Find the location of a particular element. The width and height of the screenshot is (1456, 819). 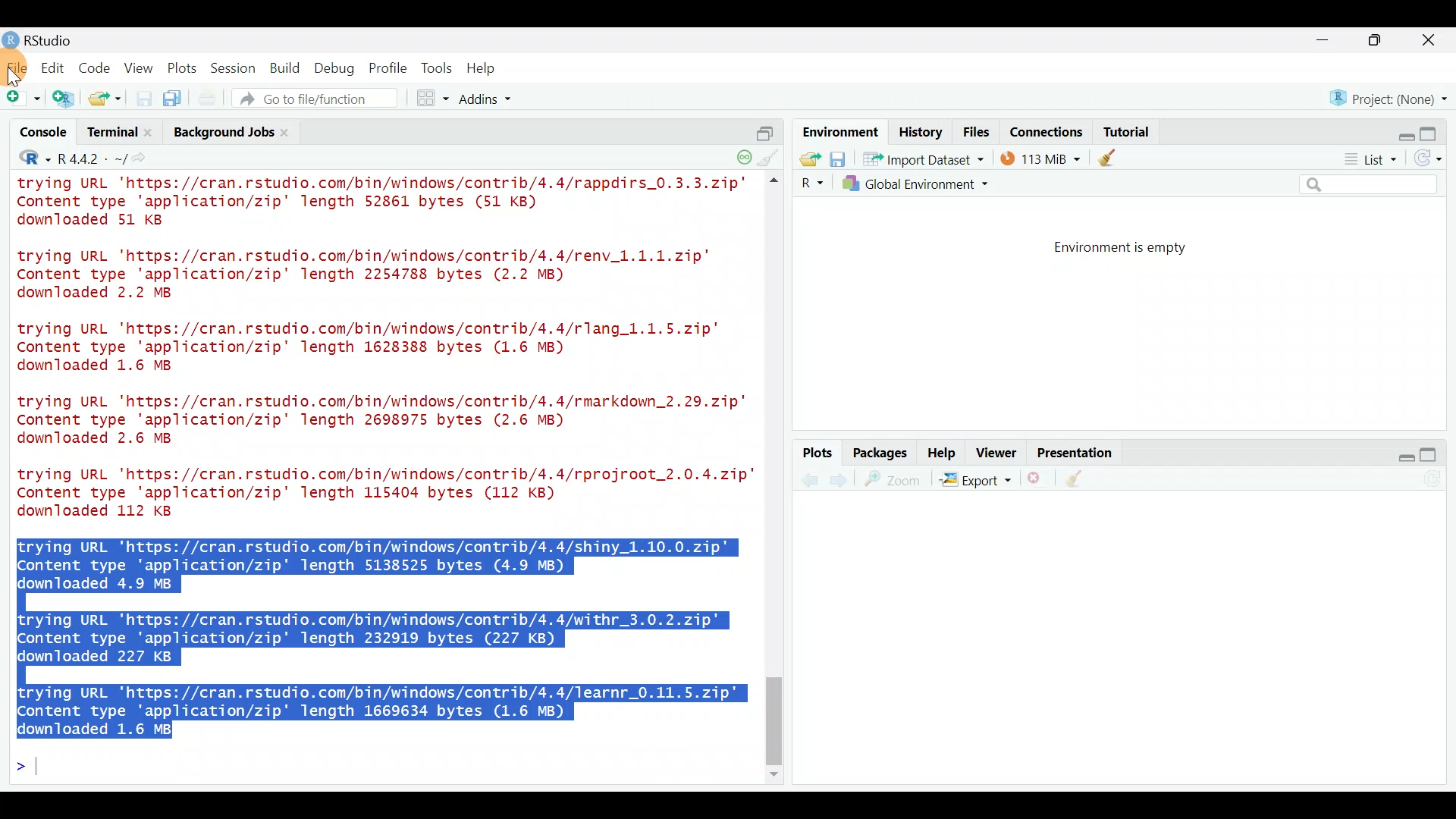

trying URL 'https://cran.rstudio.com/bin/windows/contrib/4.4/rmarkdown_2.29.zip"
Content type 'application/zip' length 2698975 bytes (2.6 MB)
downloaded 2.6 MB is located at coordinates (385, 422).